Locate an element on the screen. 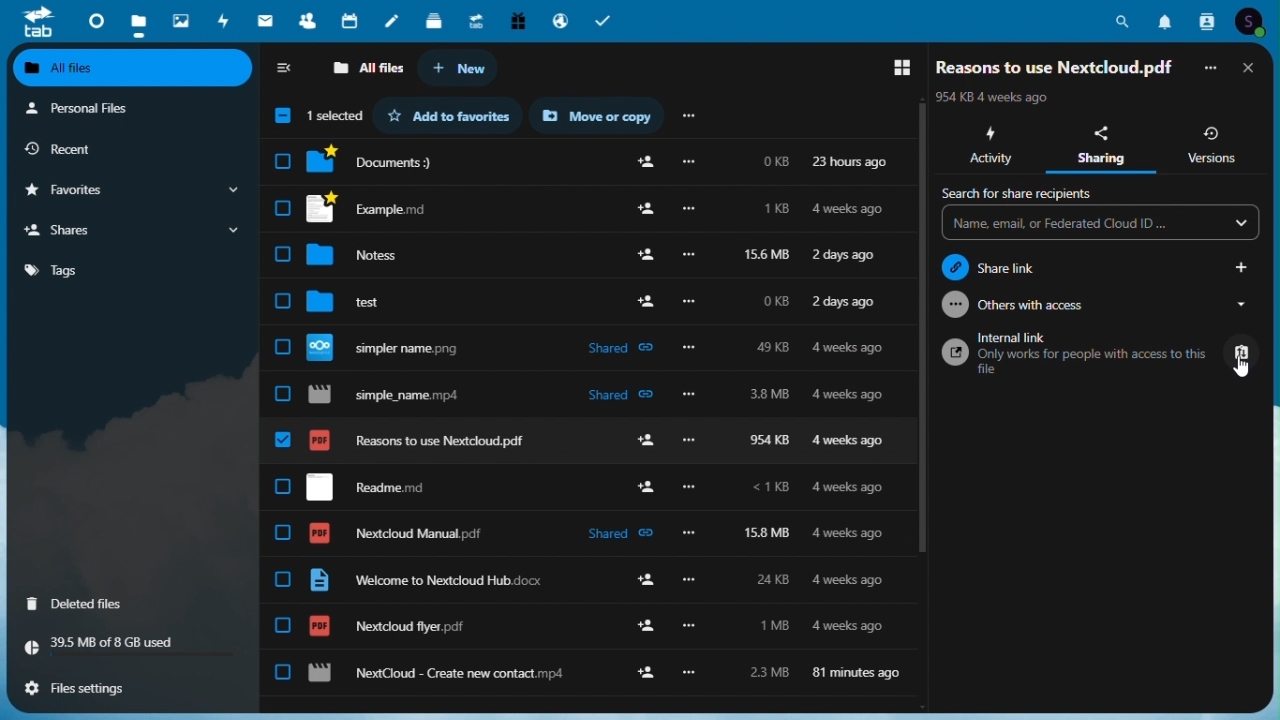  documents is located at coordinates (384, 161).